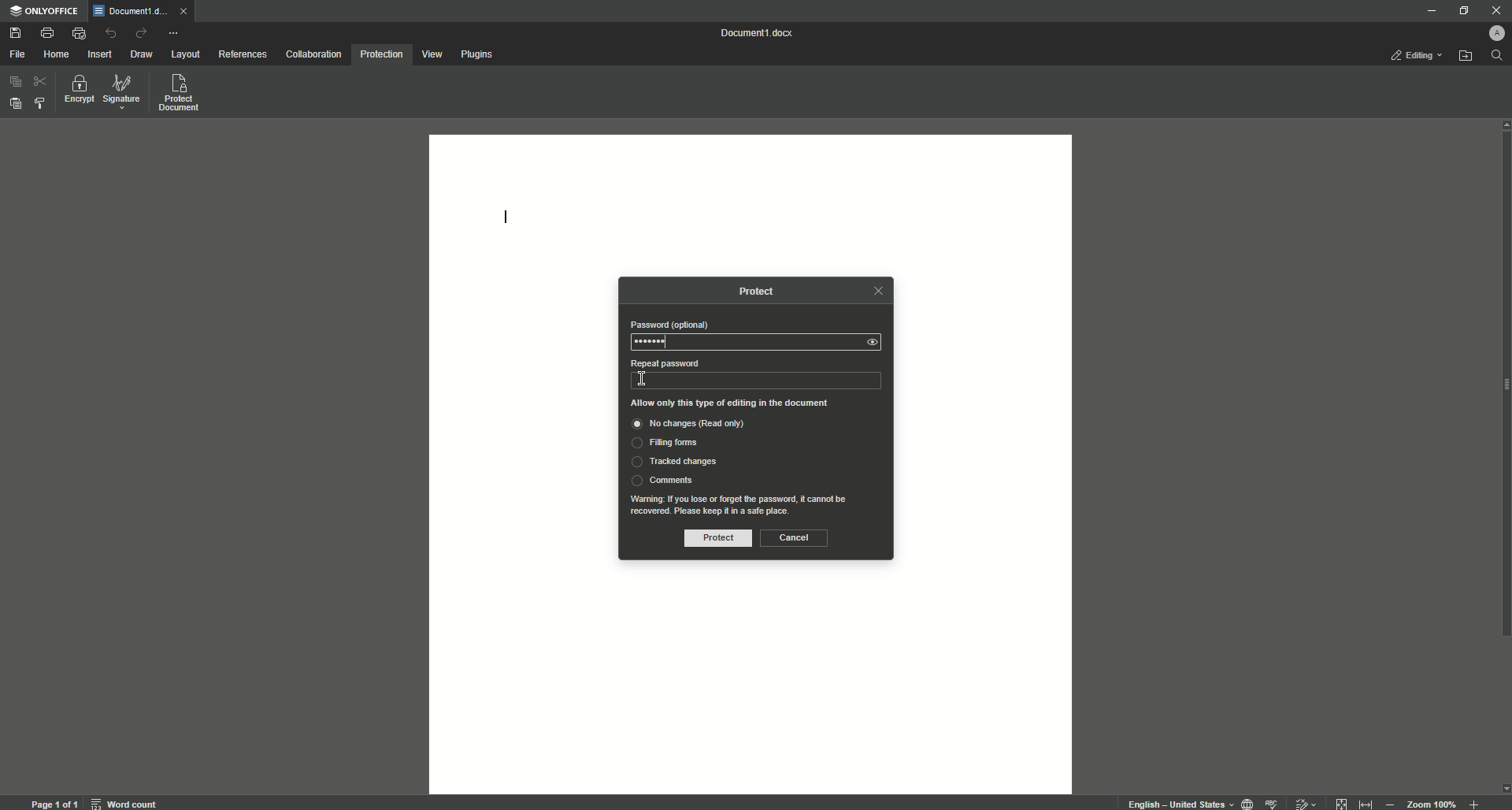 The height and width of the screenshot is (810, 1512). What do you see at coordinates (187, 55) in the screenshot?
I see `Layout` at bounding box center [187, 55].